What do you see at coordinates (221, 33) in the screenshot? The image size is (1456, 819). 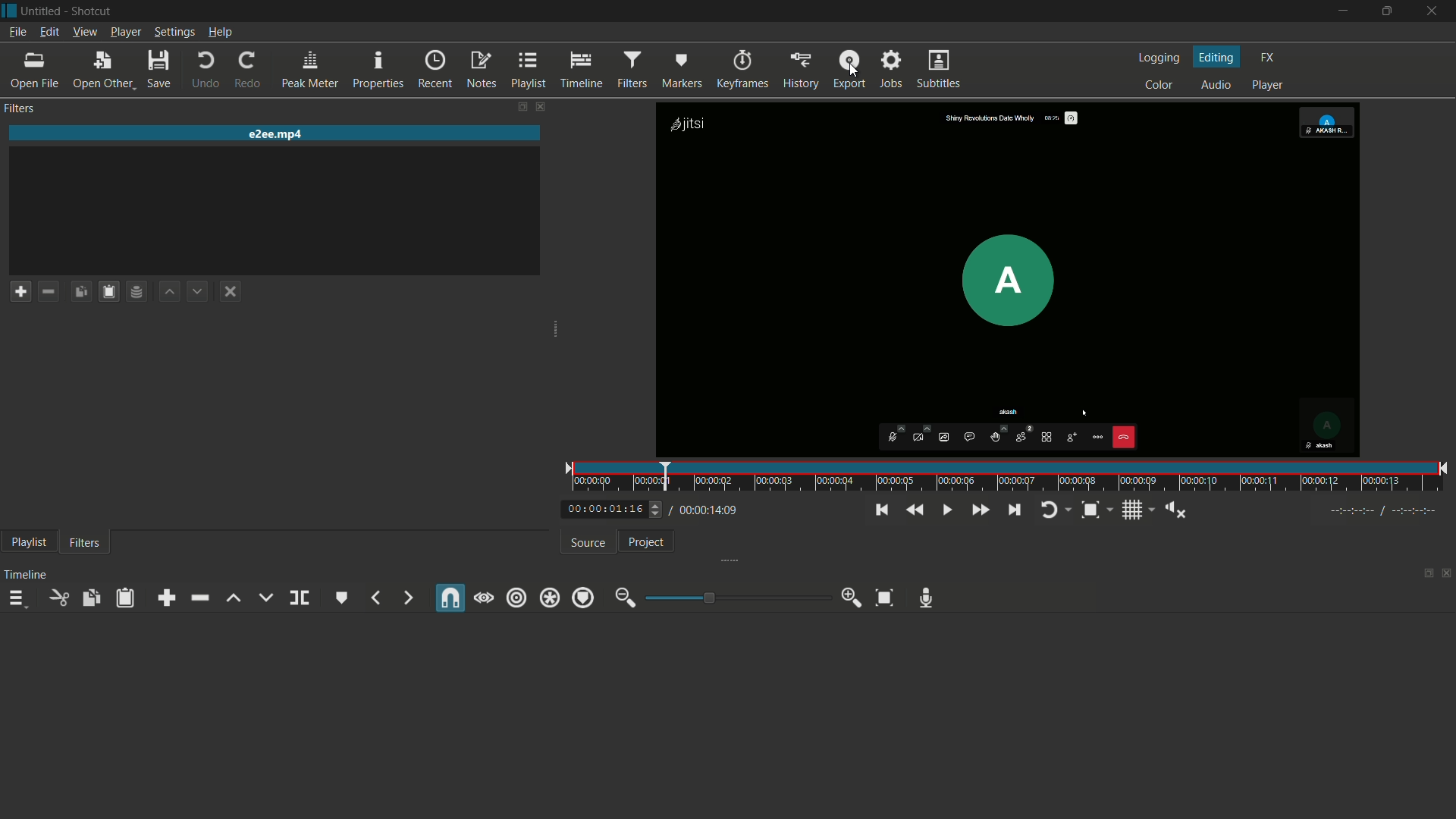 I see `help menu` at bounding box center [221, 33].